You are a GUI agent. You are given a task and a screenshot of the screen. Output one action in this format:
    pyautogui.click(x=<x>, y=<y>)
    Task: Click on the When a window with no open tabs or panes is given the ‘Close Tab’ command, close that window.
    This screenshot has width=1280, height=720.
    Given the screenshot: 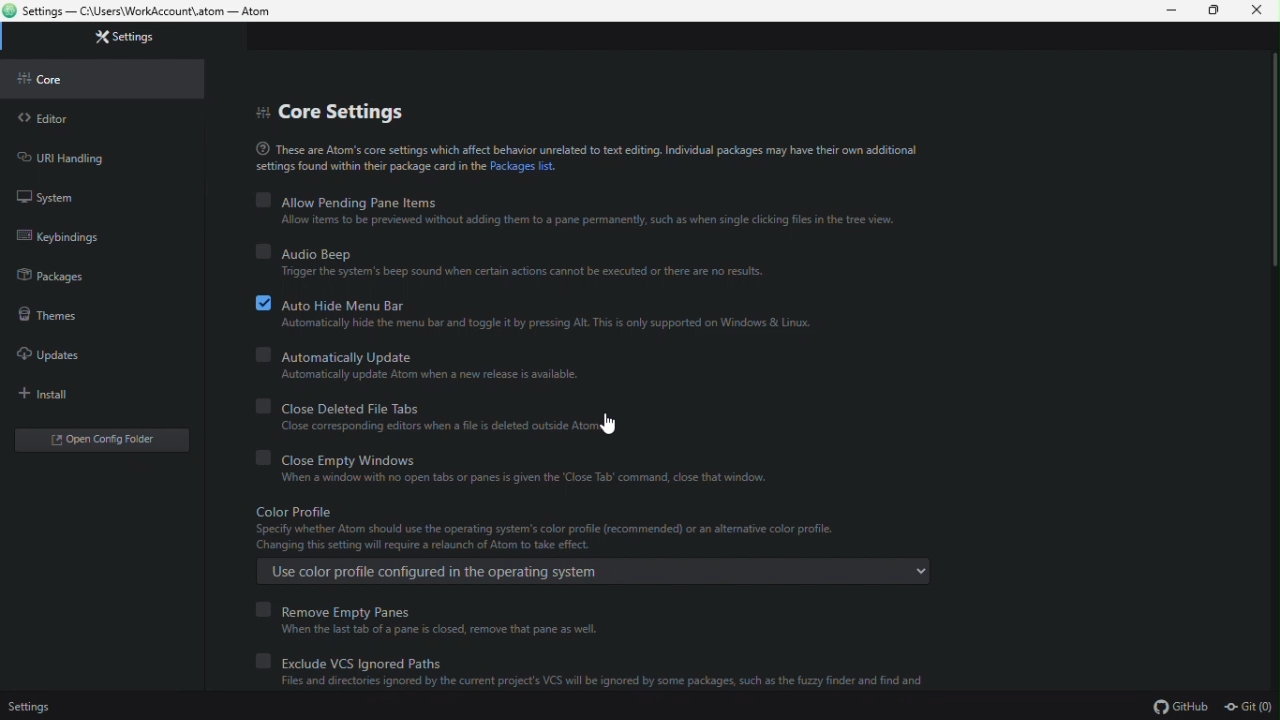 What is the action you would take?
    pyautogui.click(x=508, y=477)
    